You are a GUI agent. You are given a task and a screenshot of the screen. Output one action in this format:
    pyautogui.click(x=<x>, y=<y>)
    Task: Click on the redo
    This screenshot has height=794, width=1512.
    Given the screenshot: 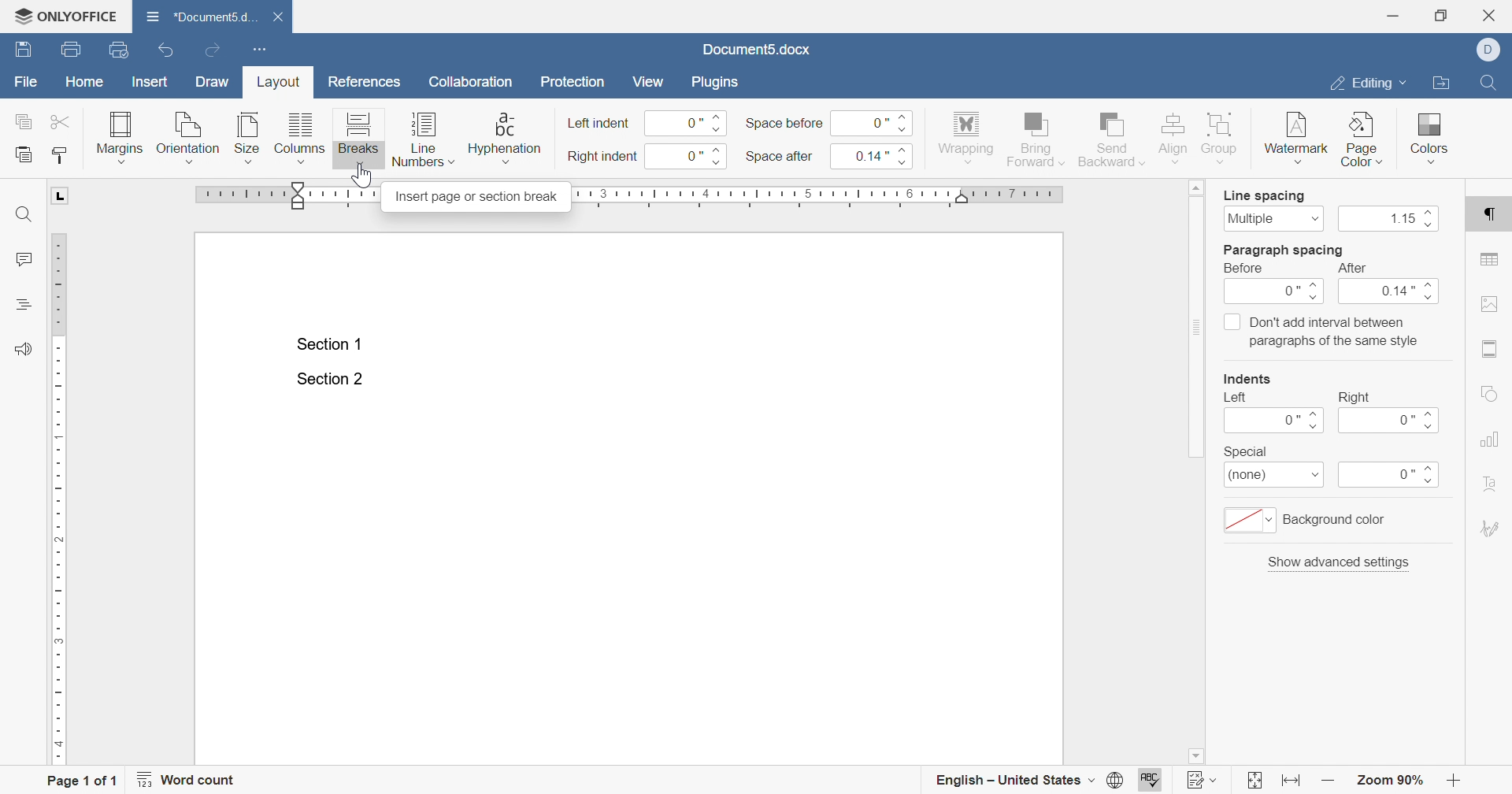 What is the action you would take?
    pyautogui.click(x=213, y=50)
    